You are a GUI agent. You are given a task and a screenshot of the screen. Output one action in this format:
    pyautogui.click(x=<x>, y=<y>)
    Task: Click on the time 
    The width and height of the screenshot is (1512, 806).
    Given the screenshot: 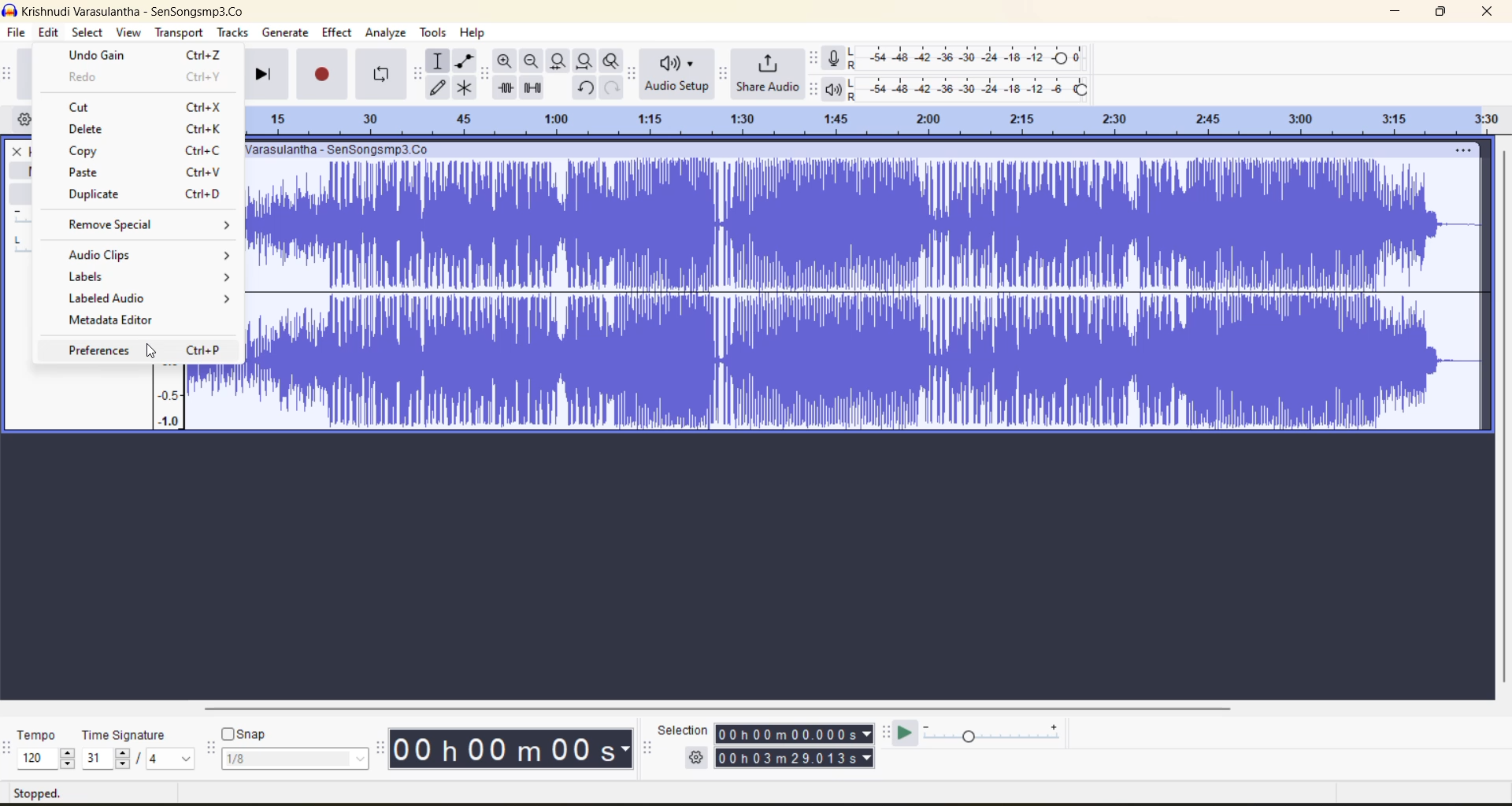 What is the action you would take?
    pyautogui.click(x=515, y=749)
    